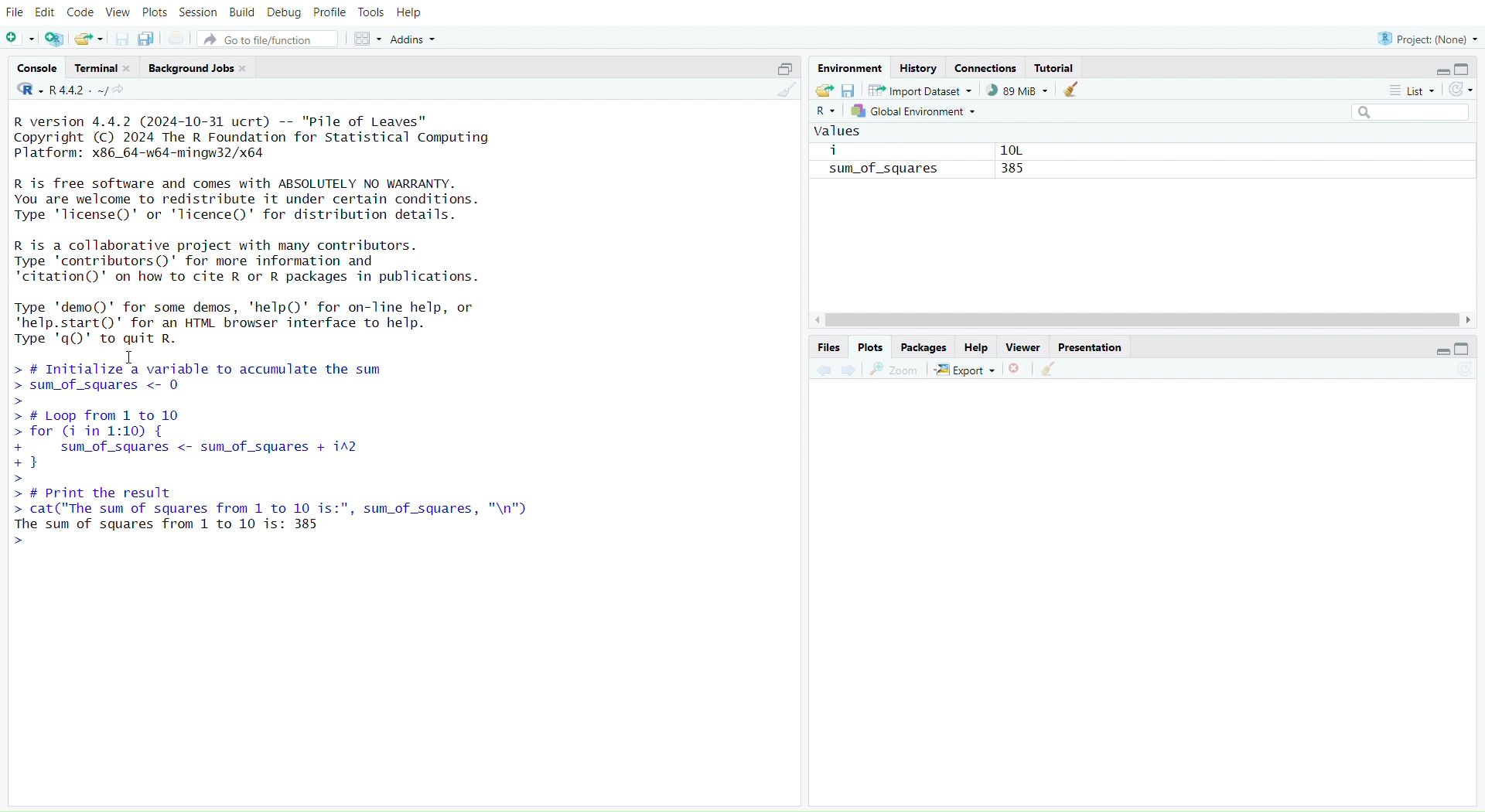 The image size is (1485, 812). What do you see at coordinates (80, 12) in the screenshot?
I see `code` at bounding box center [80, 12].